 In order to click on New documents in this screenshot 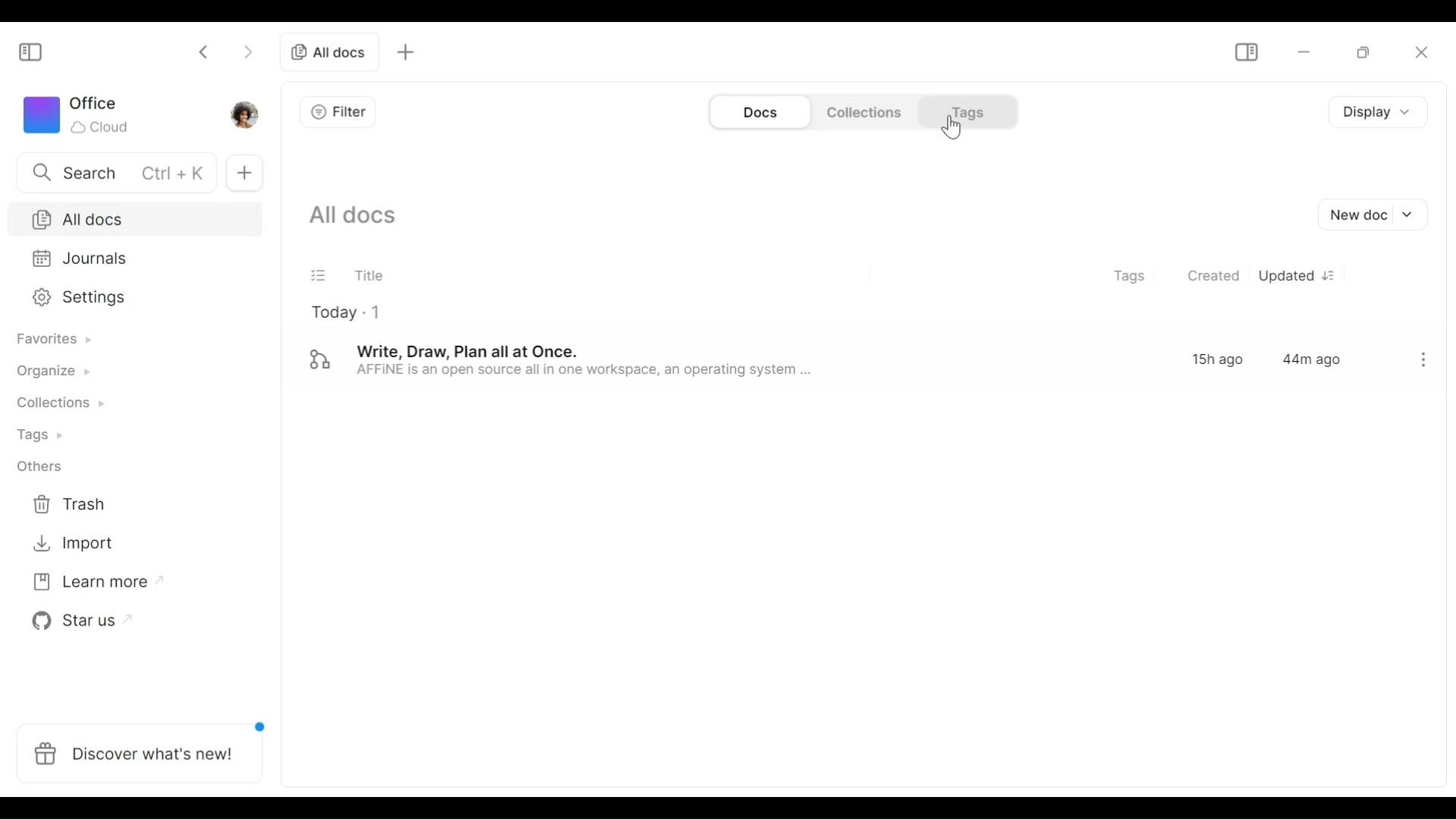, I will do `click(243, 168)`.